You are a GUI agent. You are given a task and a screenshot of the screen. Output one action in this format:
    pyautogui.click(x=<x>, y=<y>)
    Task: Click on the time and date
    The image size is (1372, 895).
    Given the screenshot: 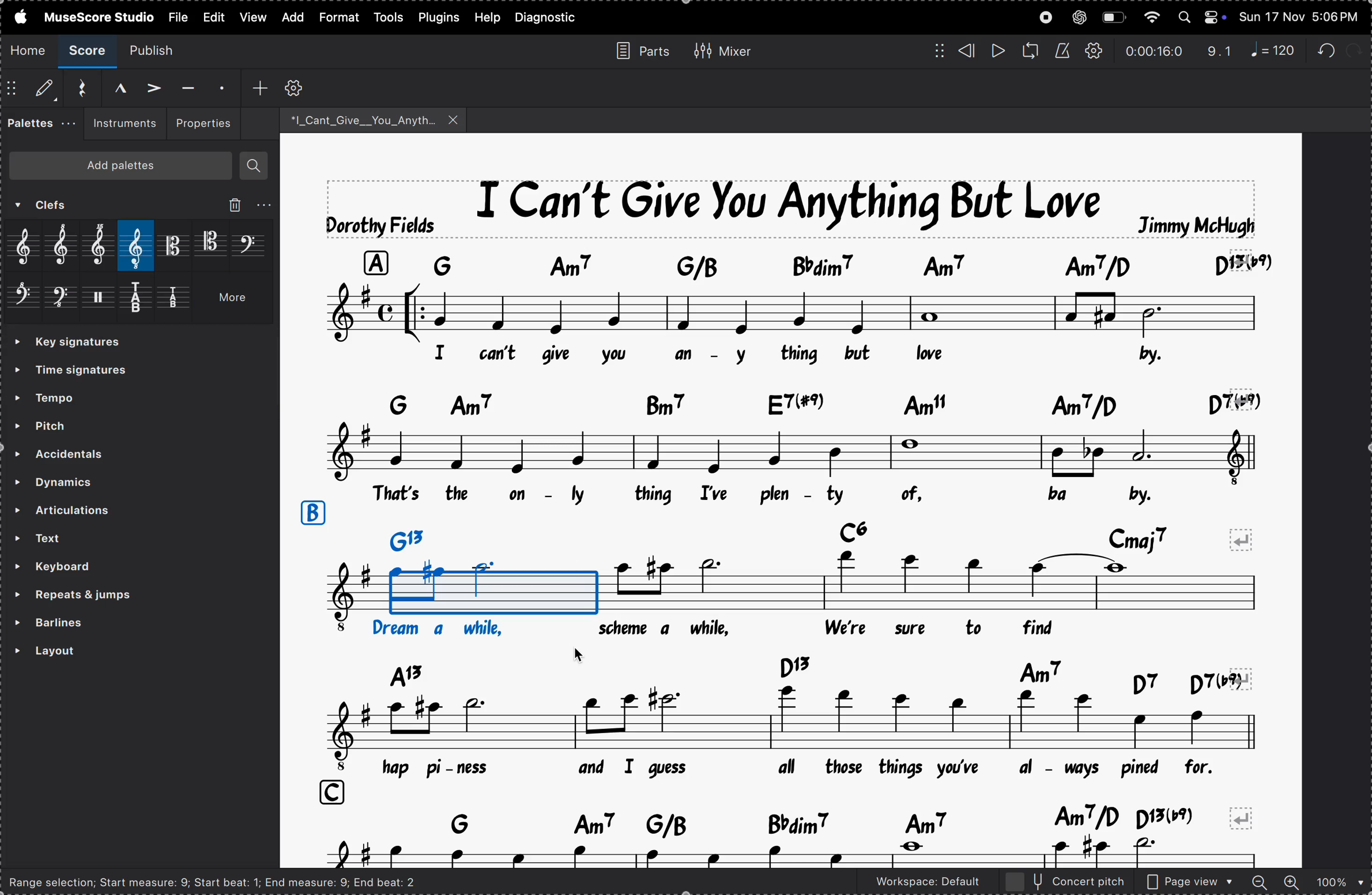 What is the action you would take?
    pyautogui.click(x=1301, y=14)
    